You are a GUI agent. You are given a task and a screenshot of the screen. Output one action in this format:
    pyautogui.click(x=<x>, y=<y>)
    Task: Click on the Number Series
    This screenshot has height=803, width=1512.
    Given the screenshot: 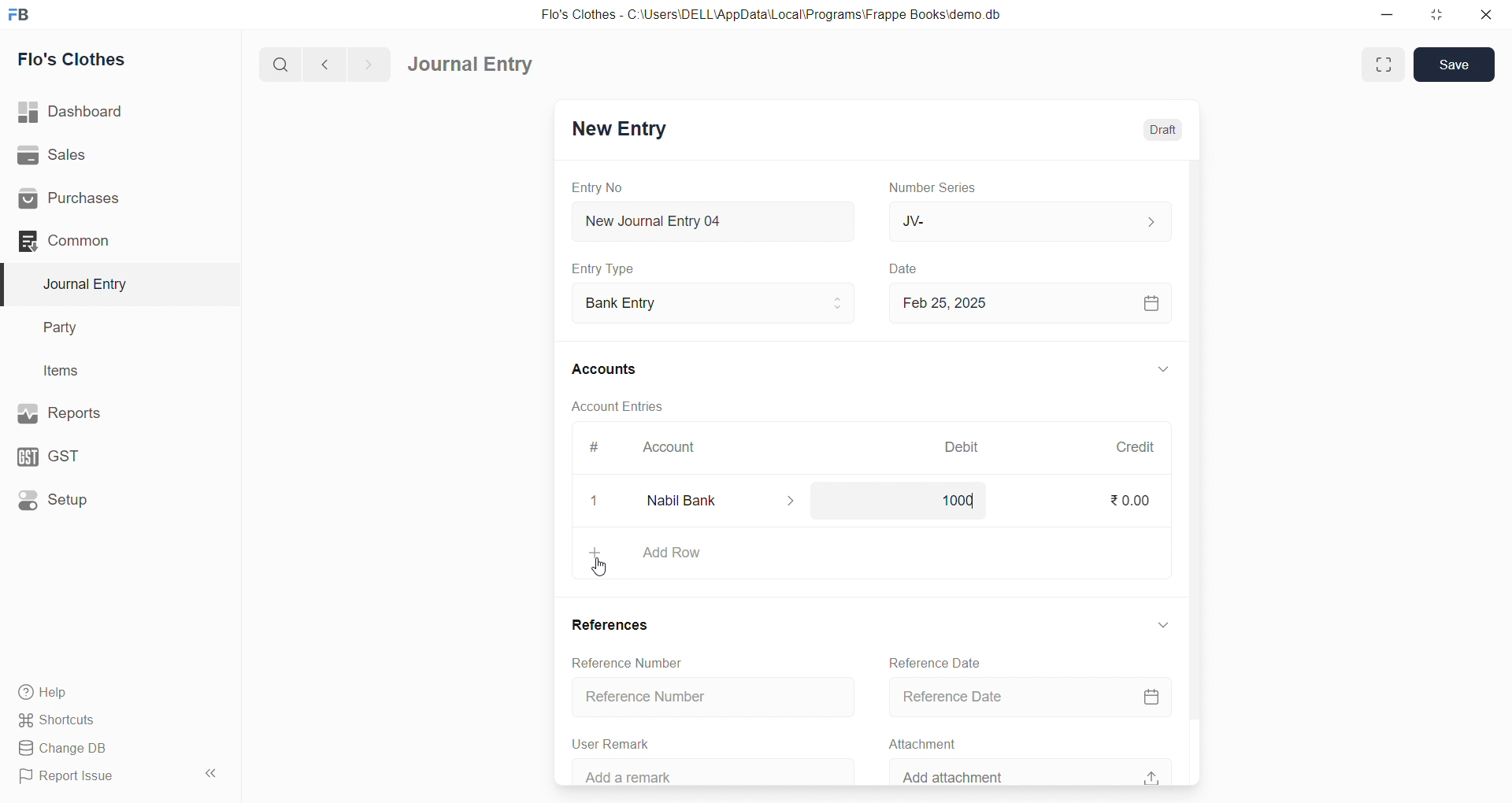 What is the action you would take?
    pyautogui.click(x=936, y=187)
    